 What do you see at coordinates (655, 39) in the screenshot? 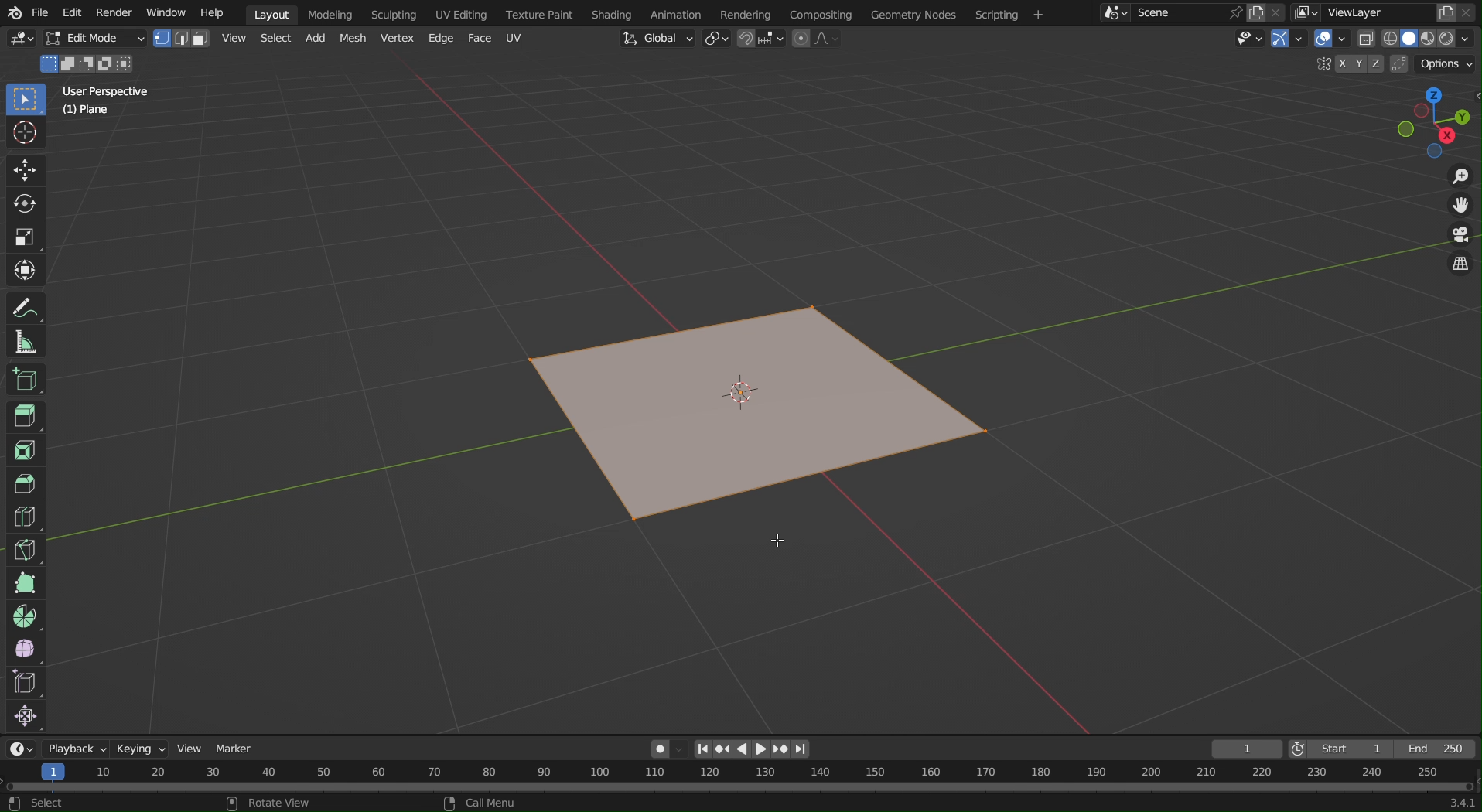
I see `Global` at bounding box center [655, 39].